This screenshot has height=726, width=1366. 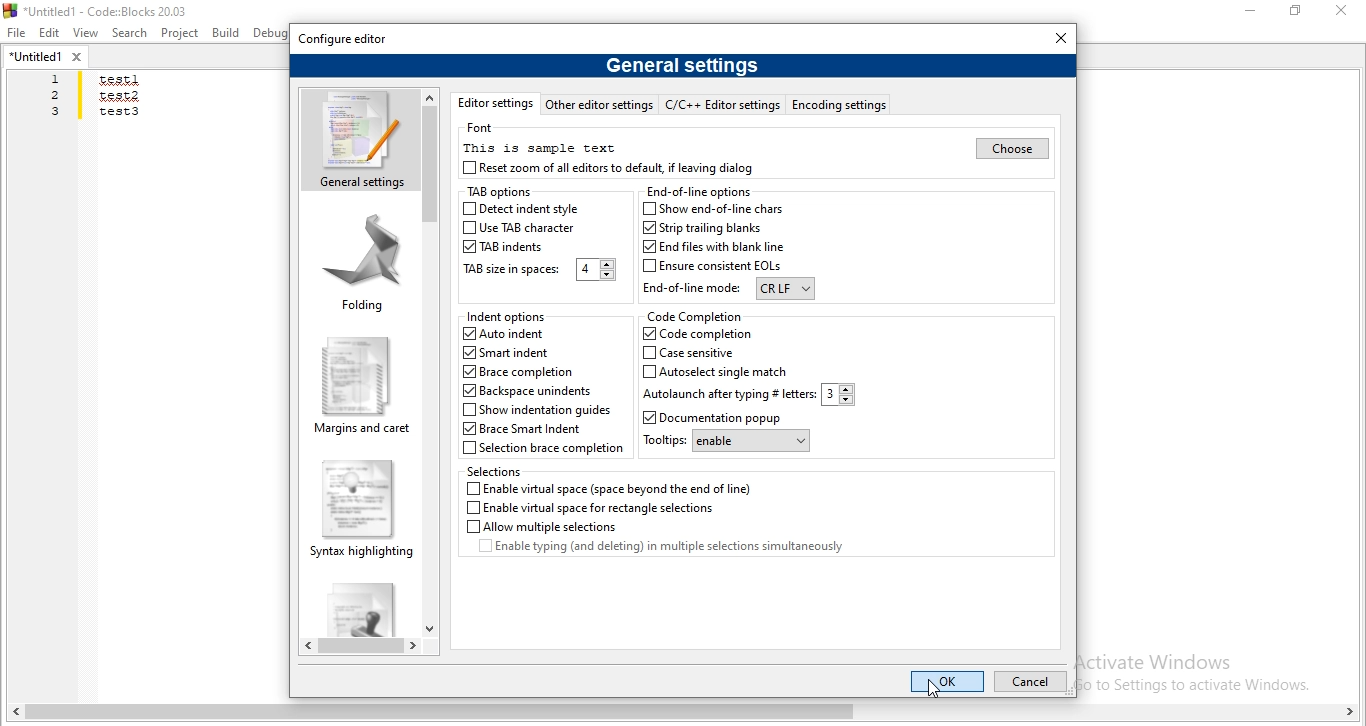 What do you see at coordinates (344, 39) in the screenshot?
I see `configure editor` at bounding box center [344, 39].